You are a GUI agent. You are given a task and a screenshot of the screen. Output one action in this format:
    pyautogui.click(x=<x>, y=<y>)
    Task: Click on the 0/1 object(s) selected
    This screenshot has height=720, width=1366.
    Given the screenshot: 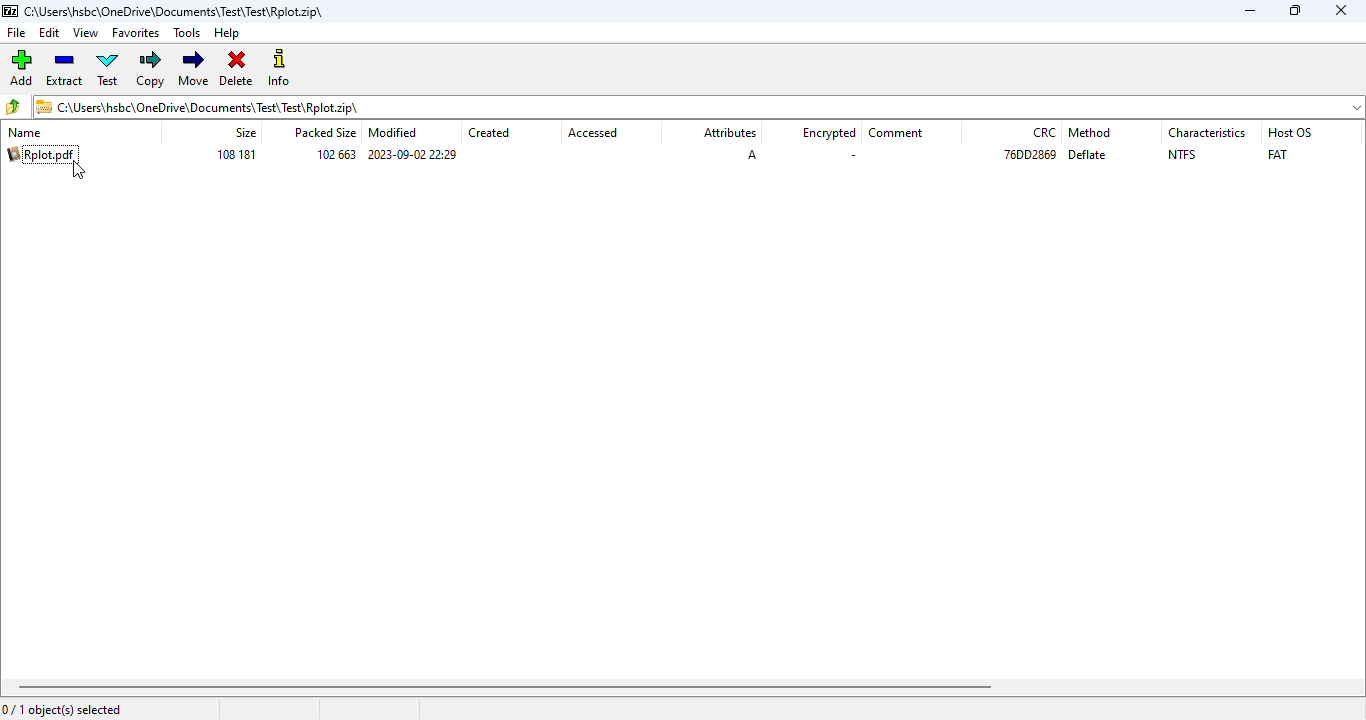 What is the action you would take?
    pyautogui.click(x=63, y=710)
    